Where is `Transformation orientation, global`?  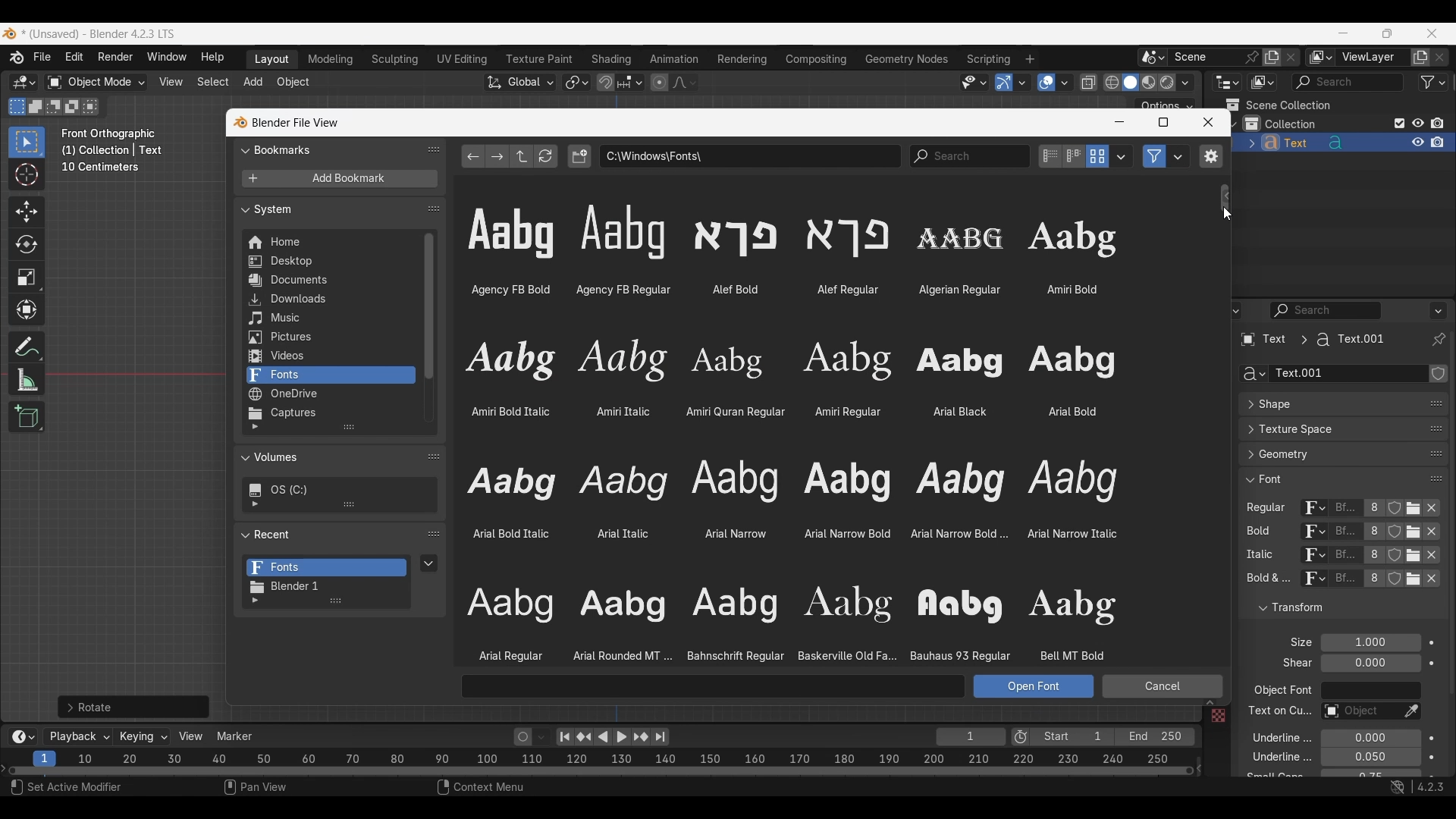 Transformation orientation, global is located at coordinates (520, 83).